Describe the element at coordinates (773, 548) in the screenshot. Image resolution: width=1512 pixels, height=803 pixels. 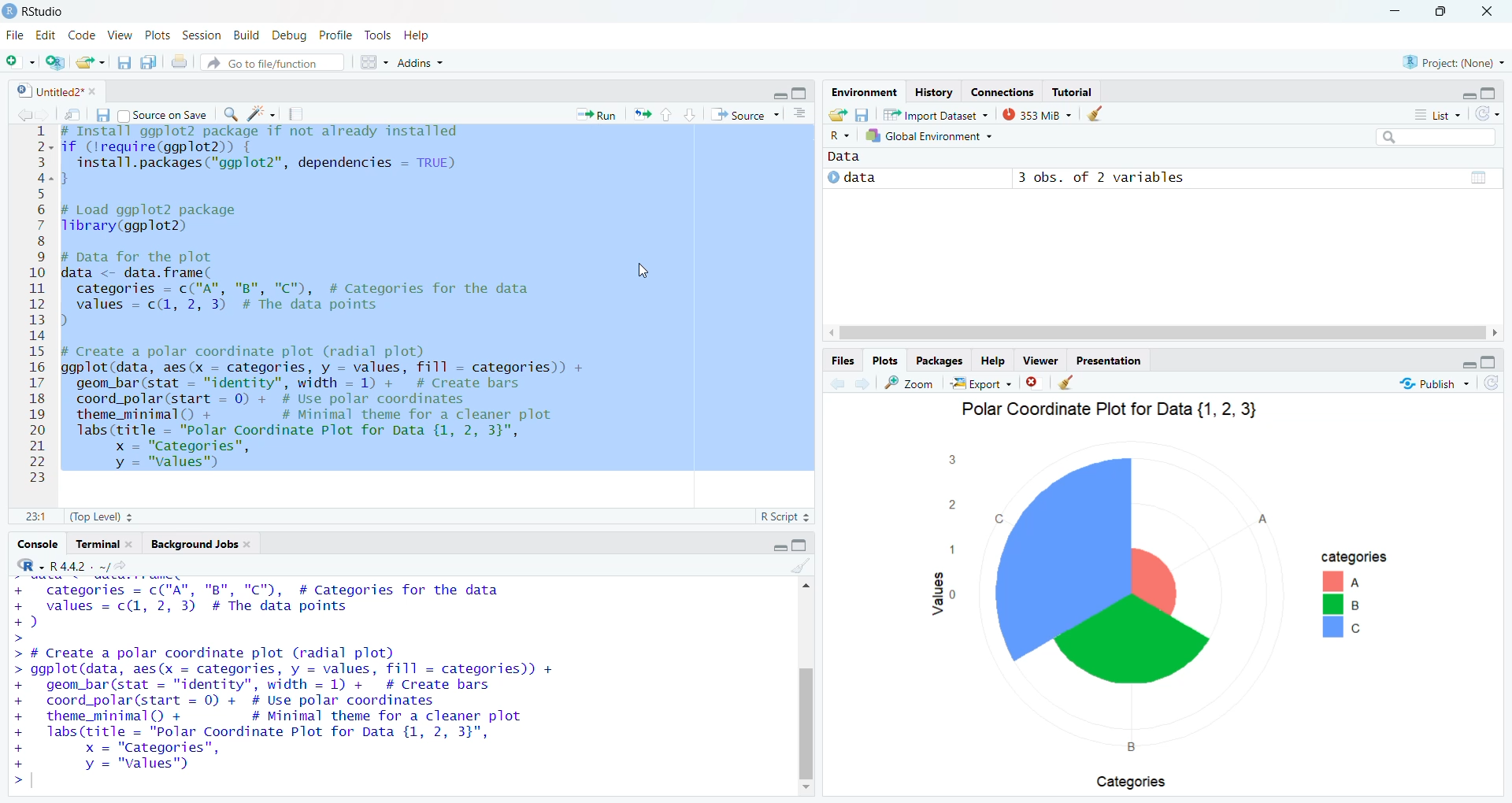
I see `hide r script` at that location.